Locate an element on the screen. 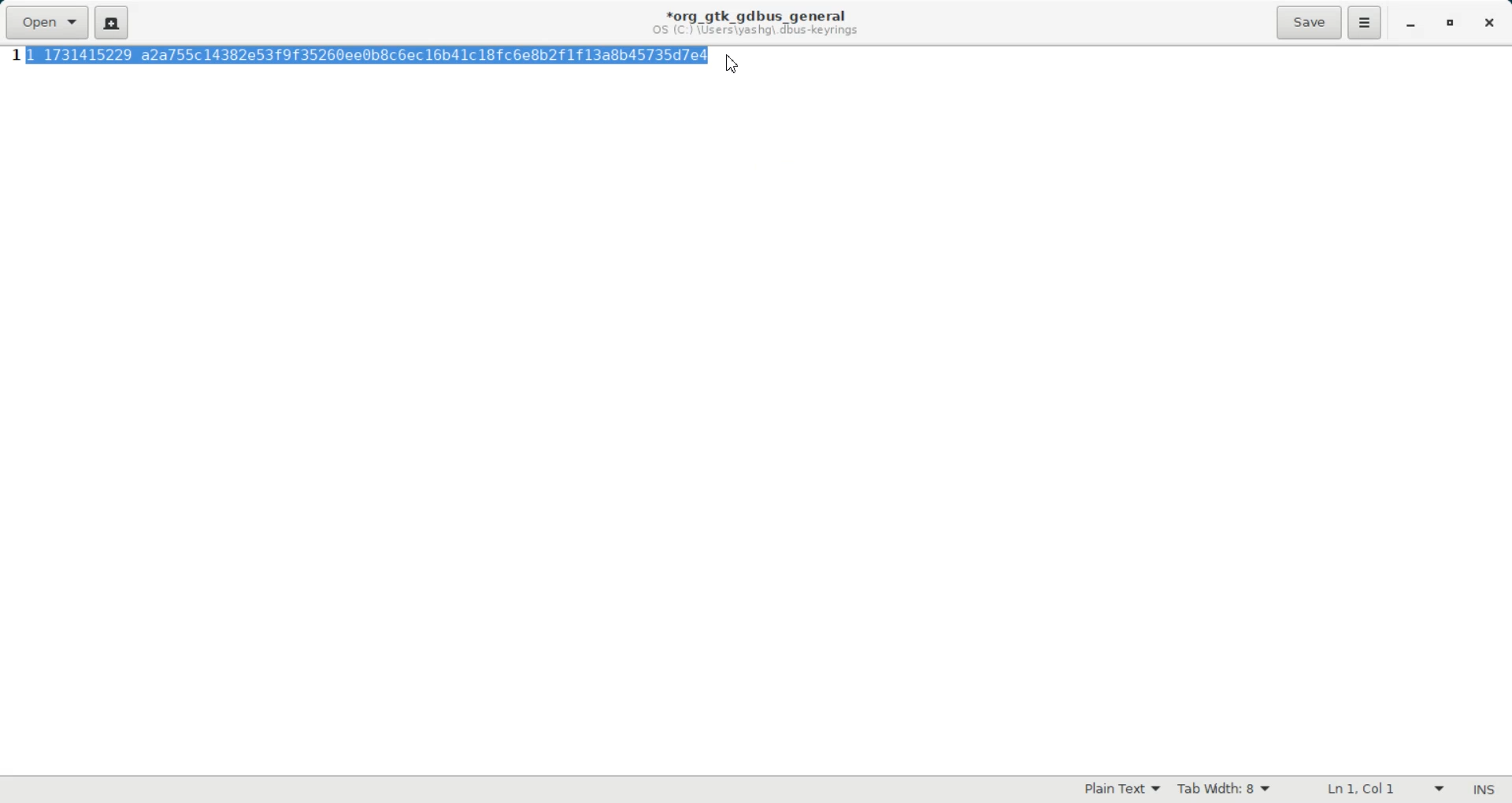 Image resolution: width=1512 pixels, height=803 pixels. Text is located at coordinates (1483, 790).